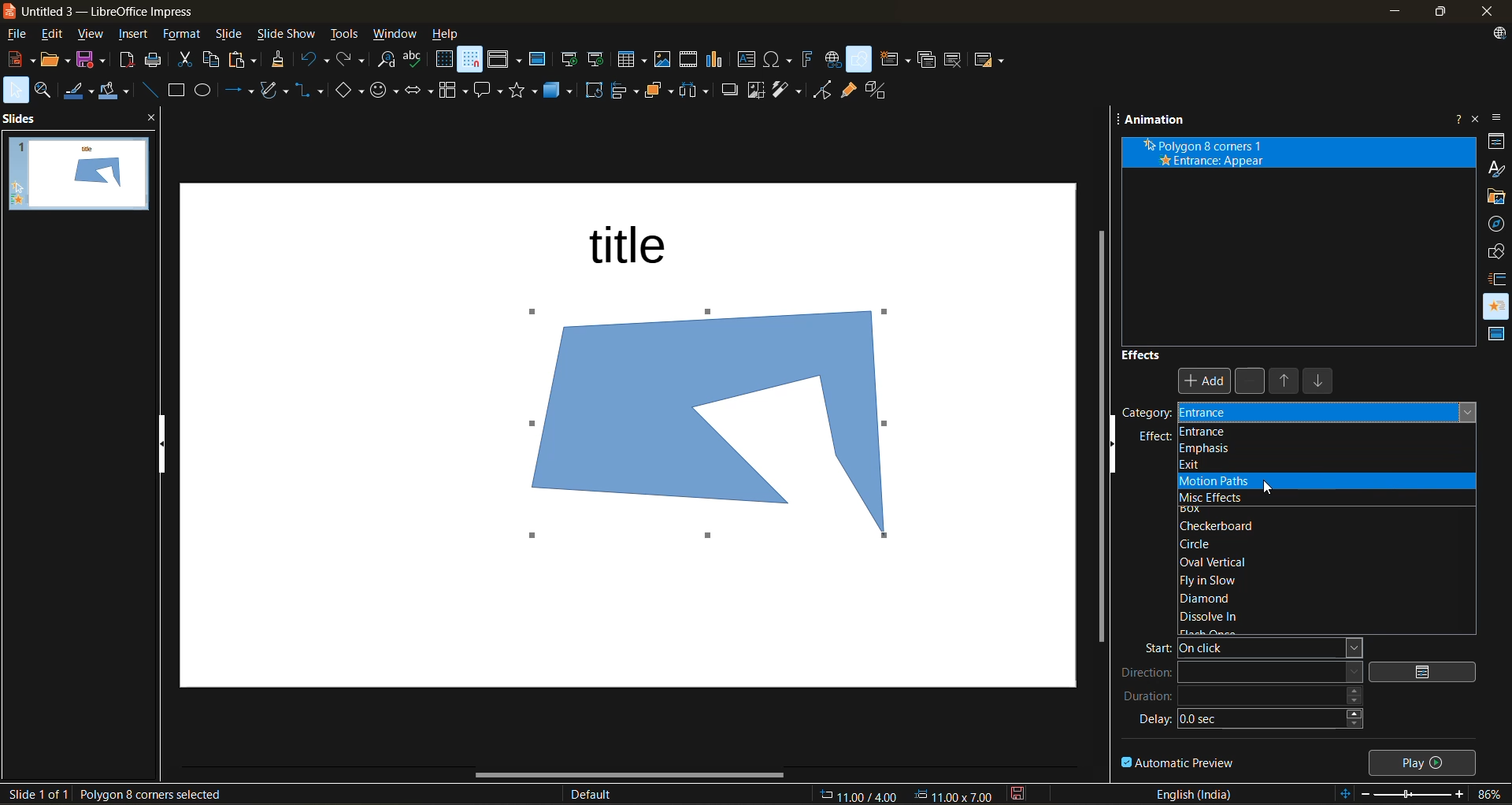 Image resolution: width=1512 pixels, height=805 pixels. What do you see at coordinates (1494, 249) in the screenshot?
I see `shapes` at bounding box center [1494, 249].